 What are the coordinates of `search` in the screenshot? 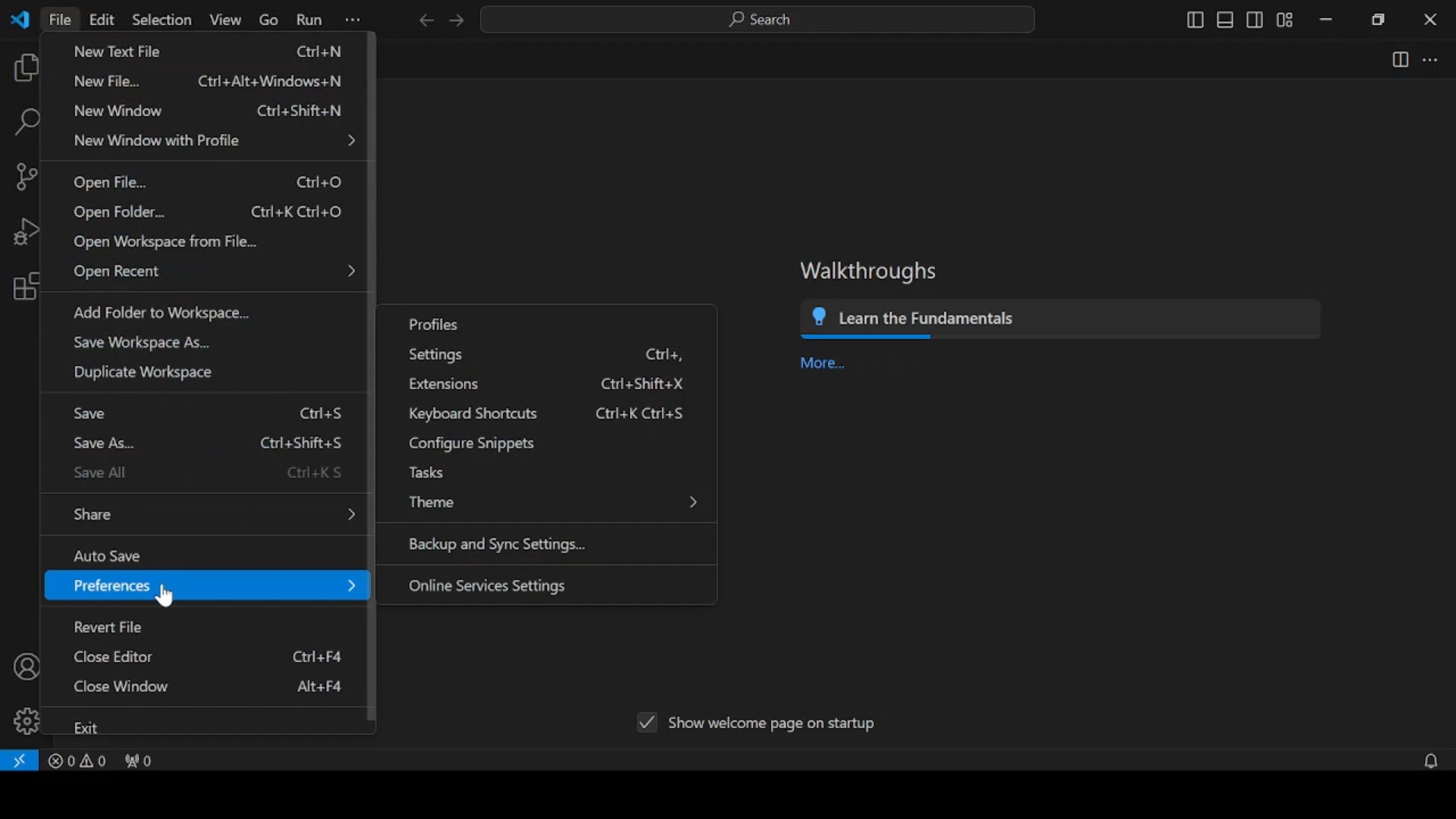 It's located at (28, 121).